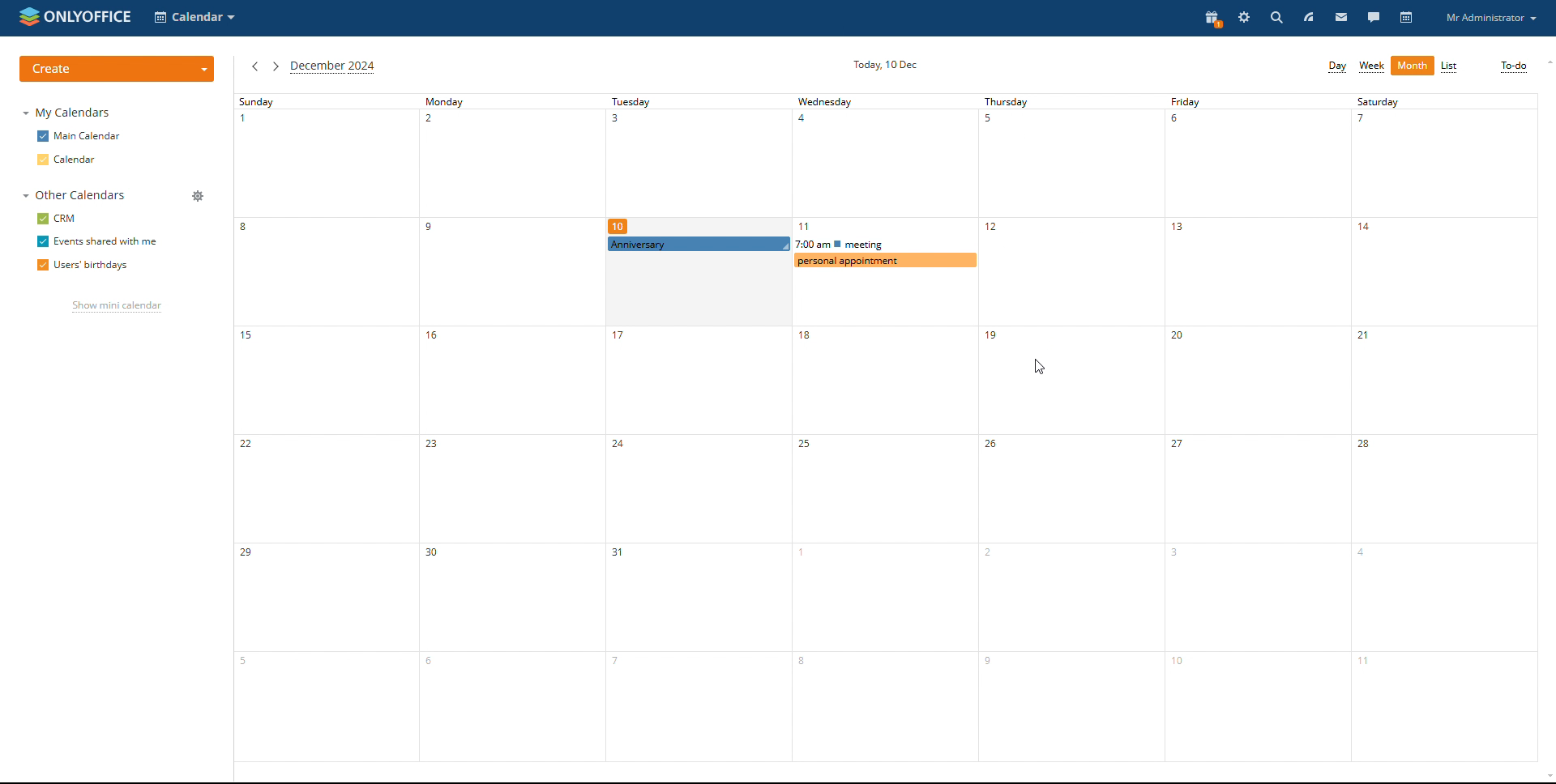  Describe the element at coordinates (276, 66) in the screenshot. I see `next month` at that location.